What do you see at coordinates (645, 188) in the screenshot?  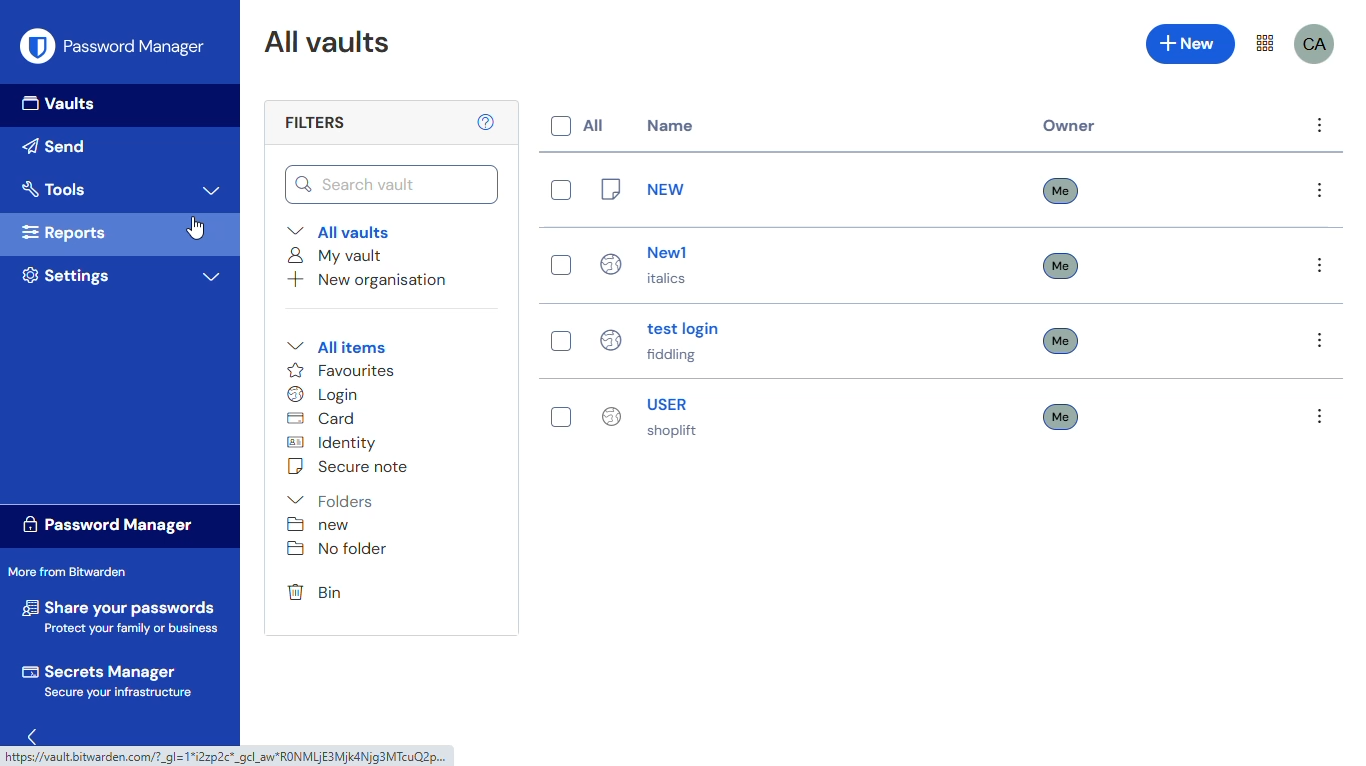 I see `new` at bounding box center [645, 188].